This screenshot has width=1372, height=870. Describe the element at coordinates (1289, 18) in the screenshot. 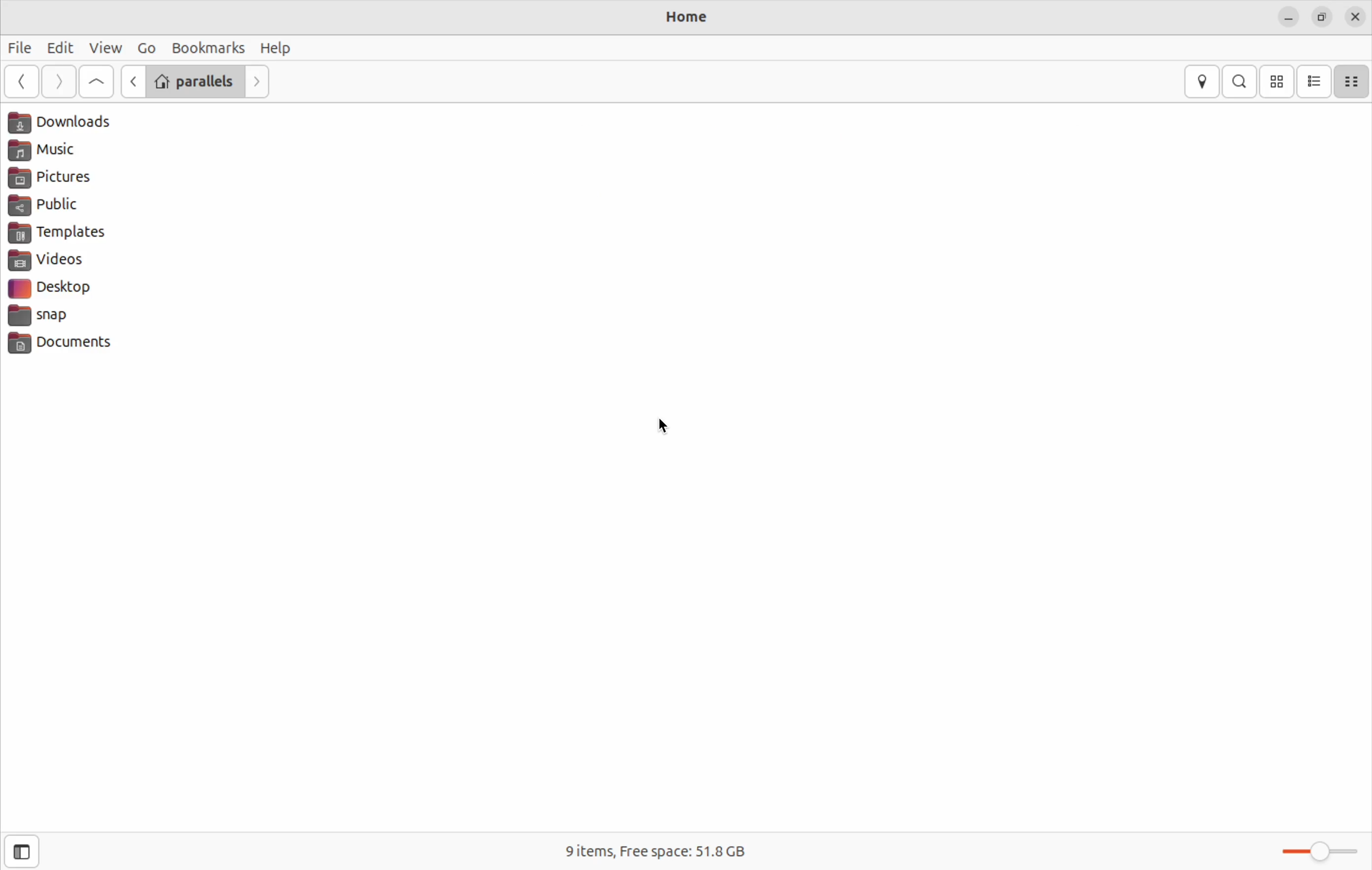

I see `minimize` at that location.